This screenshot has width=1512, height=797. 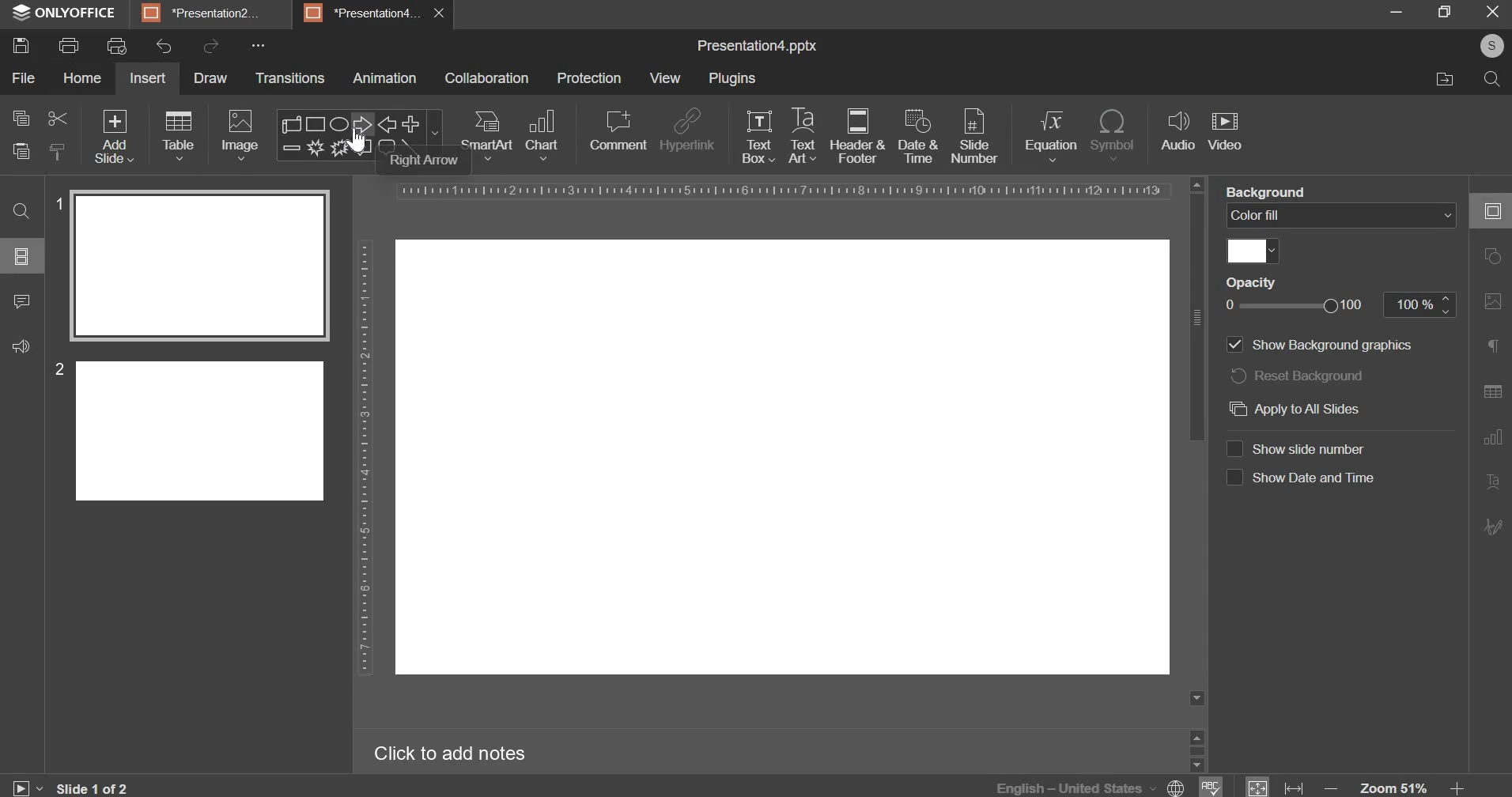 What do you see at coordinates (384, 80) in the screenshot?
I see `animation` at bounding box center [384, 80].